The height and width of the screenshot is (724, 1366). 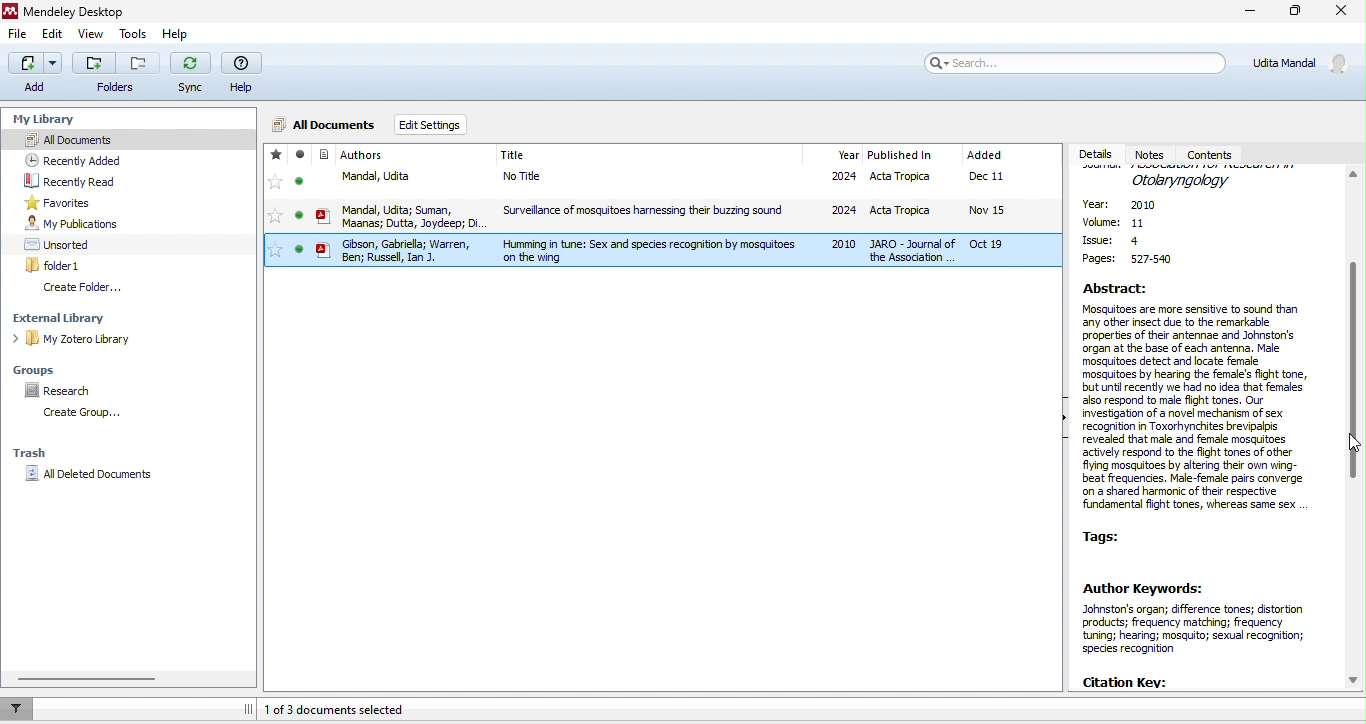 What do you see at coordinates (69, 318) in the screenshot?
I see `external library` at bounding box center [69, 318].